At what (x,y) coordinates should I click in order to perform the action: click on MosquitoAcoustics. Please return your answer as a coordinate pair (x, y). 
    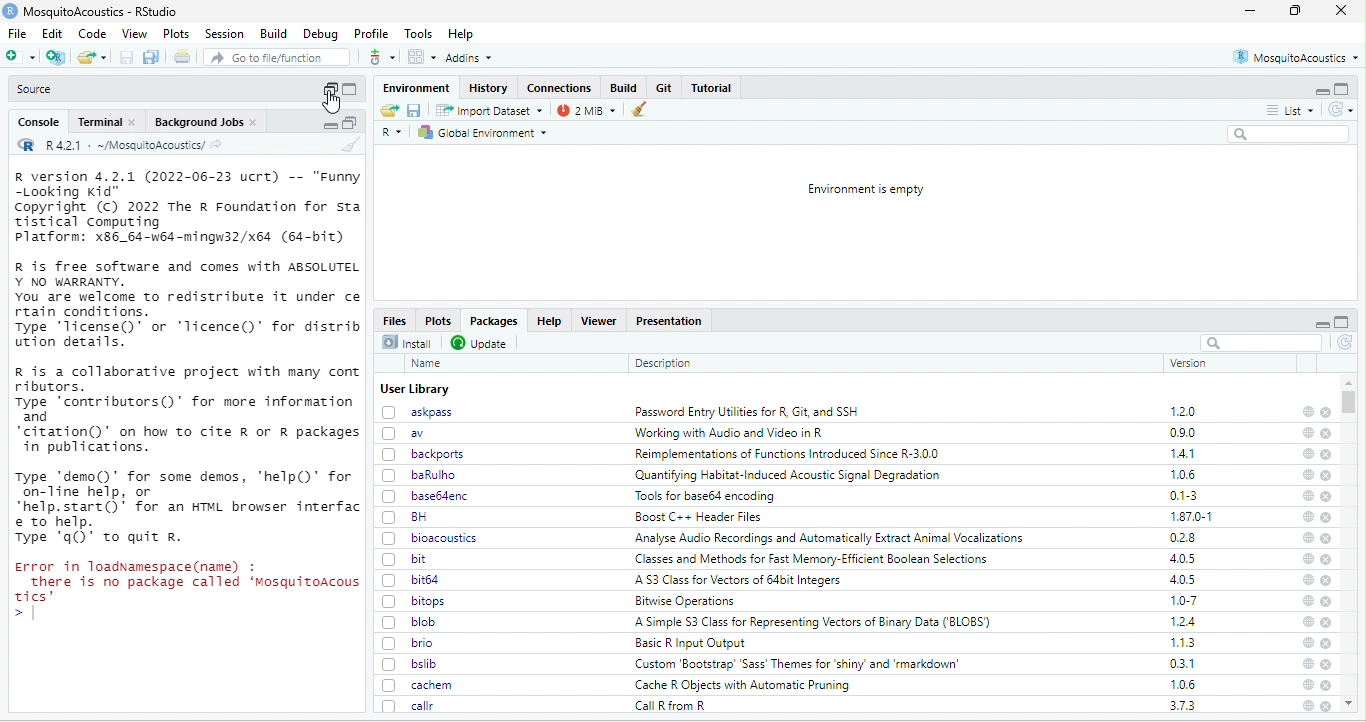
    Looking at the image, I should click on (1296, 57).